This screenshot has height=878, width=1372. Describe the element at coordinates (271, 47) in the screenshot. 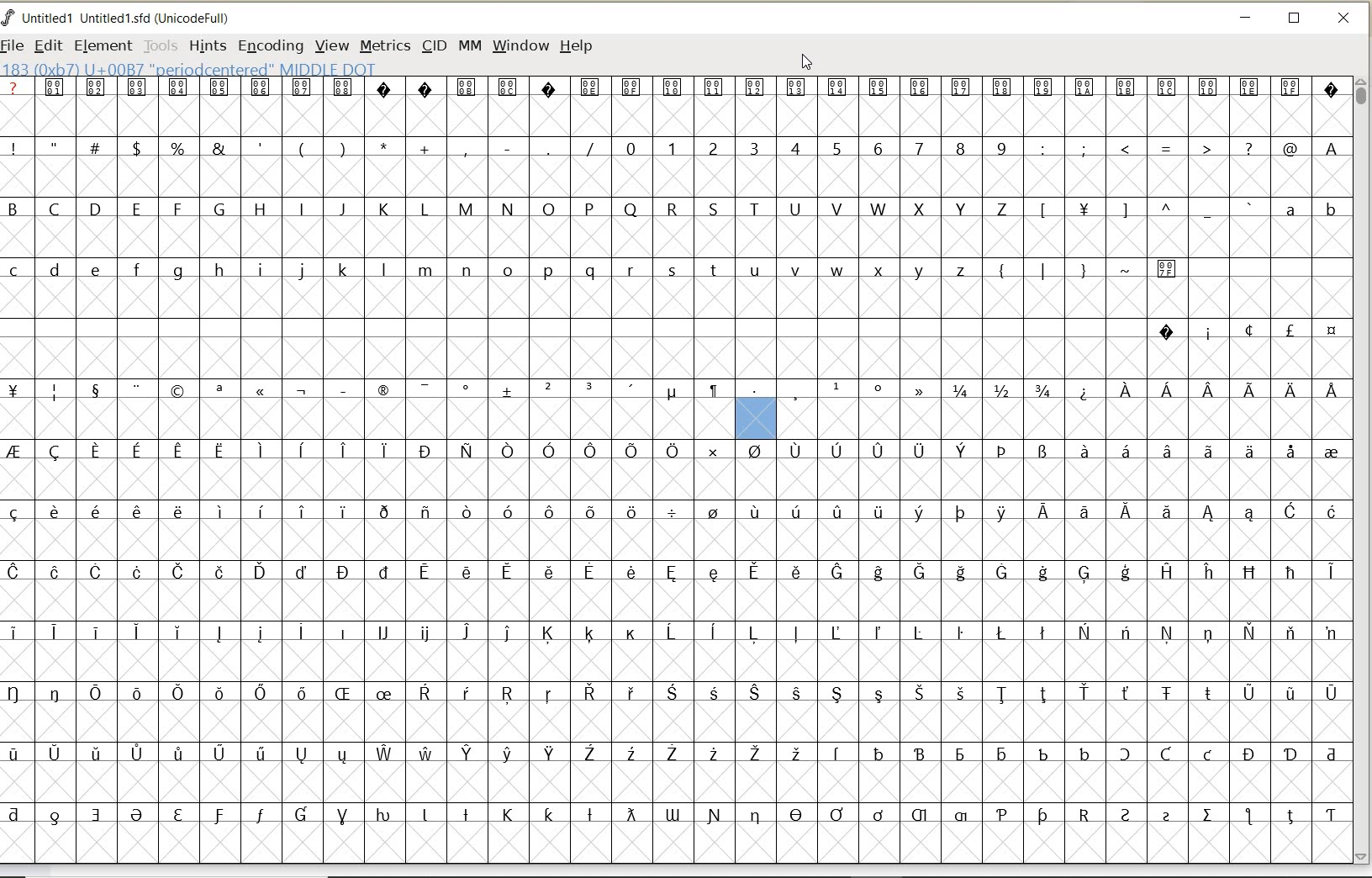

I see `ENCODING` at that location.